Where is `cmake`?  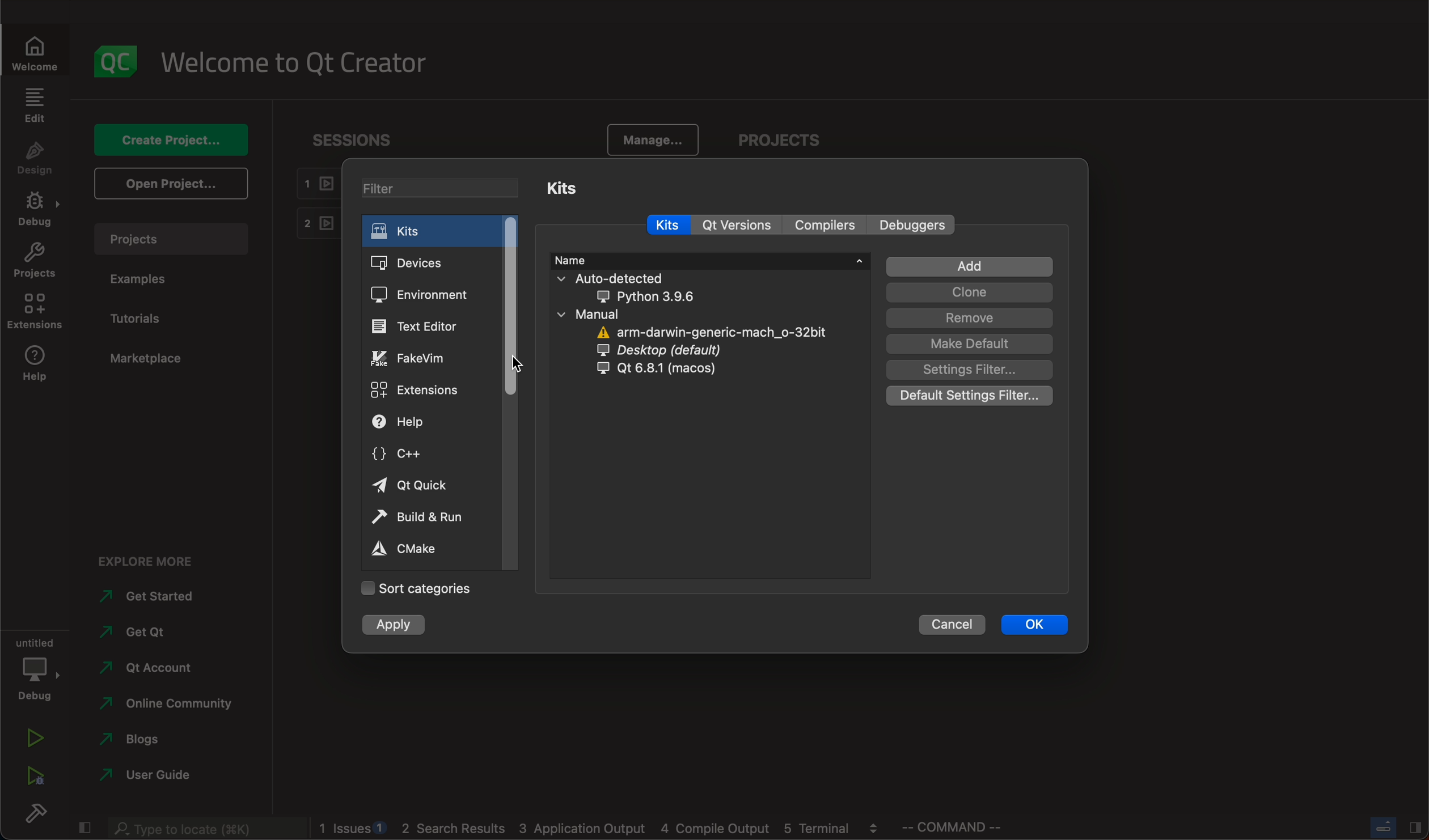
cmake is located at coordinates (409, 550).